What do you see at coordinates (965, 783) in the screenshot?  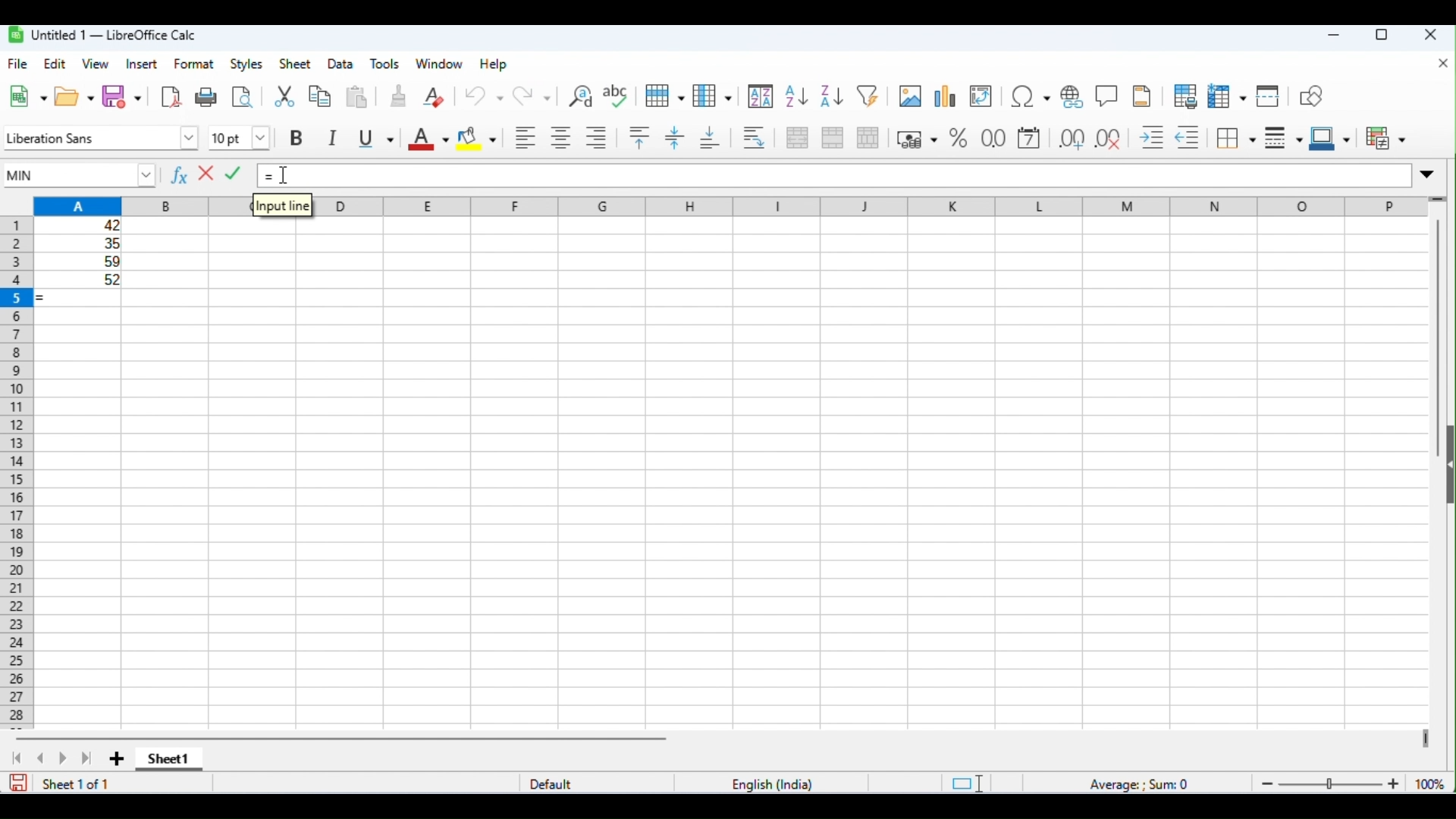 I see `standard selection` at bounding box center [965, 783].